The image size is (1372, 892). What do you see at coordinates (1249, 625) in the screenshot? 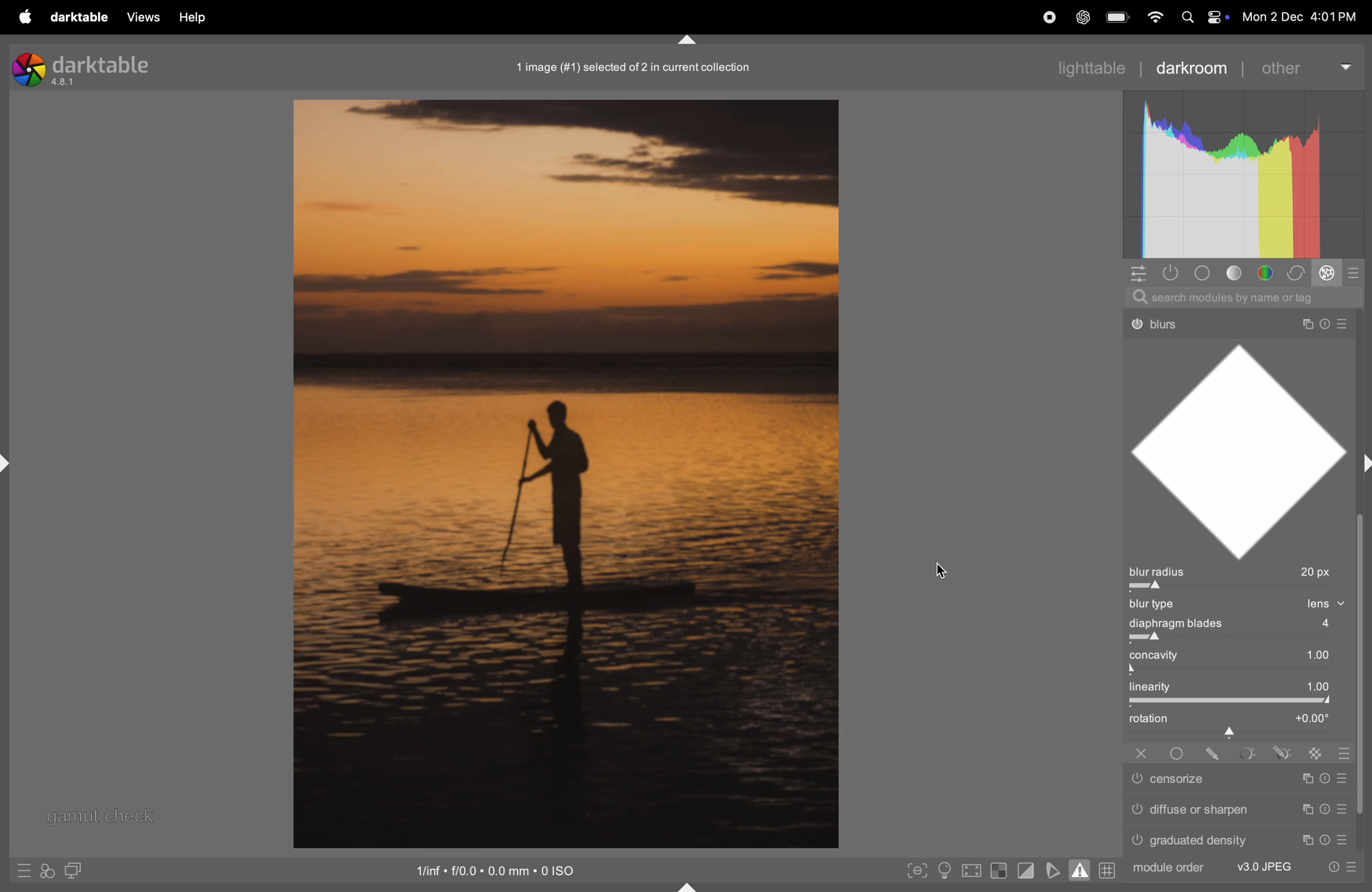
I see `displaying blades` at bounding box center [1249, 625].